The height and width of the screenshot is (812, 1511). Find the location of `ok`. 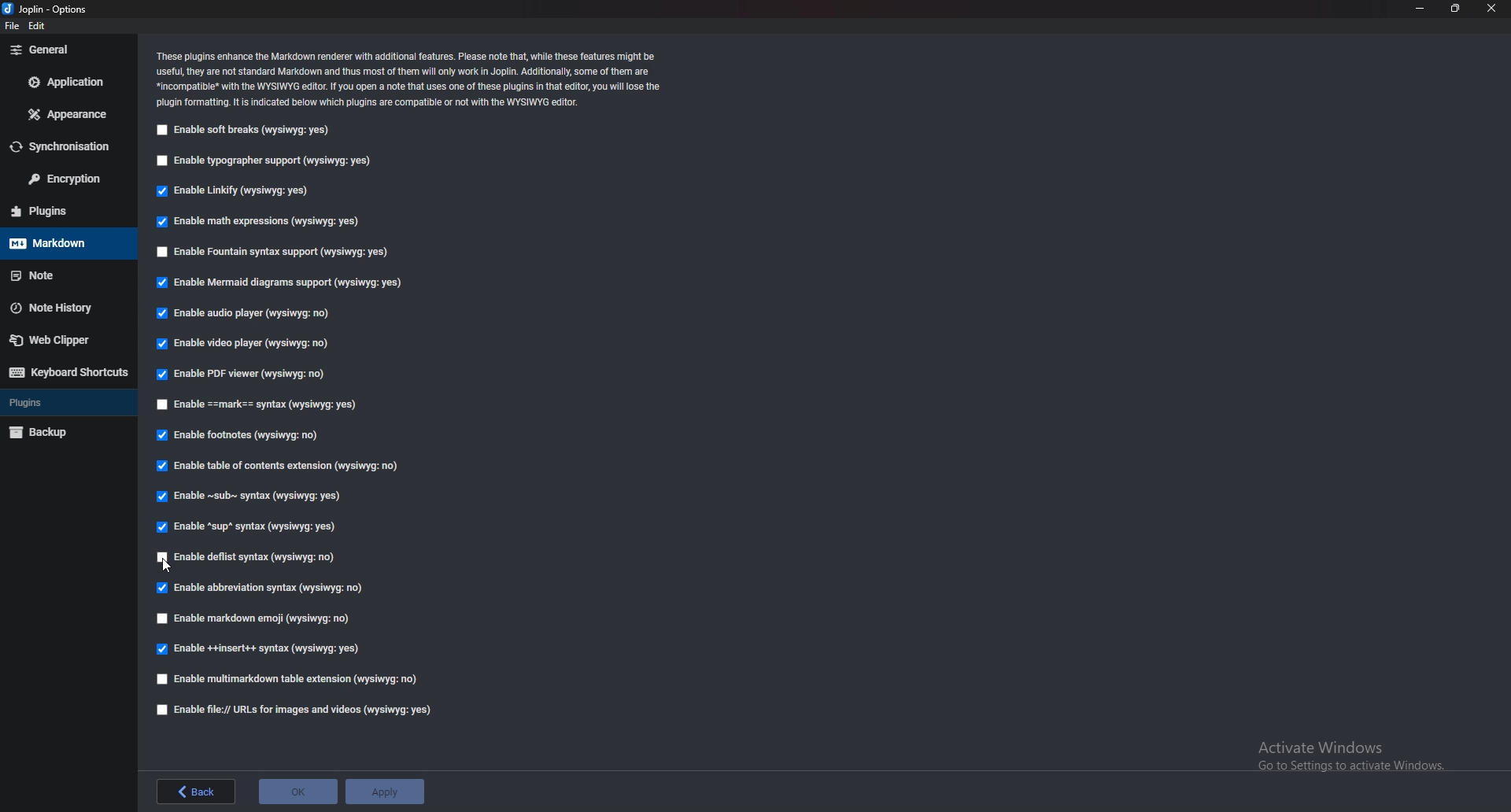

ok is located at coordinates (295, 792).